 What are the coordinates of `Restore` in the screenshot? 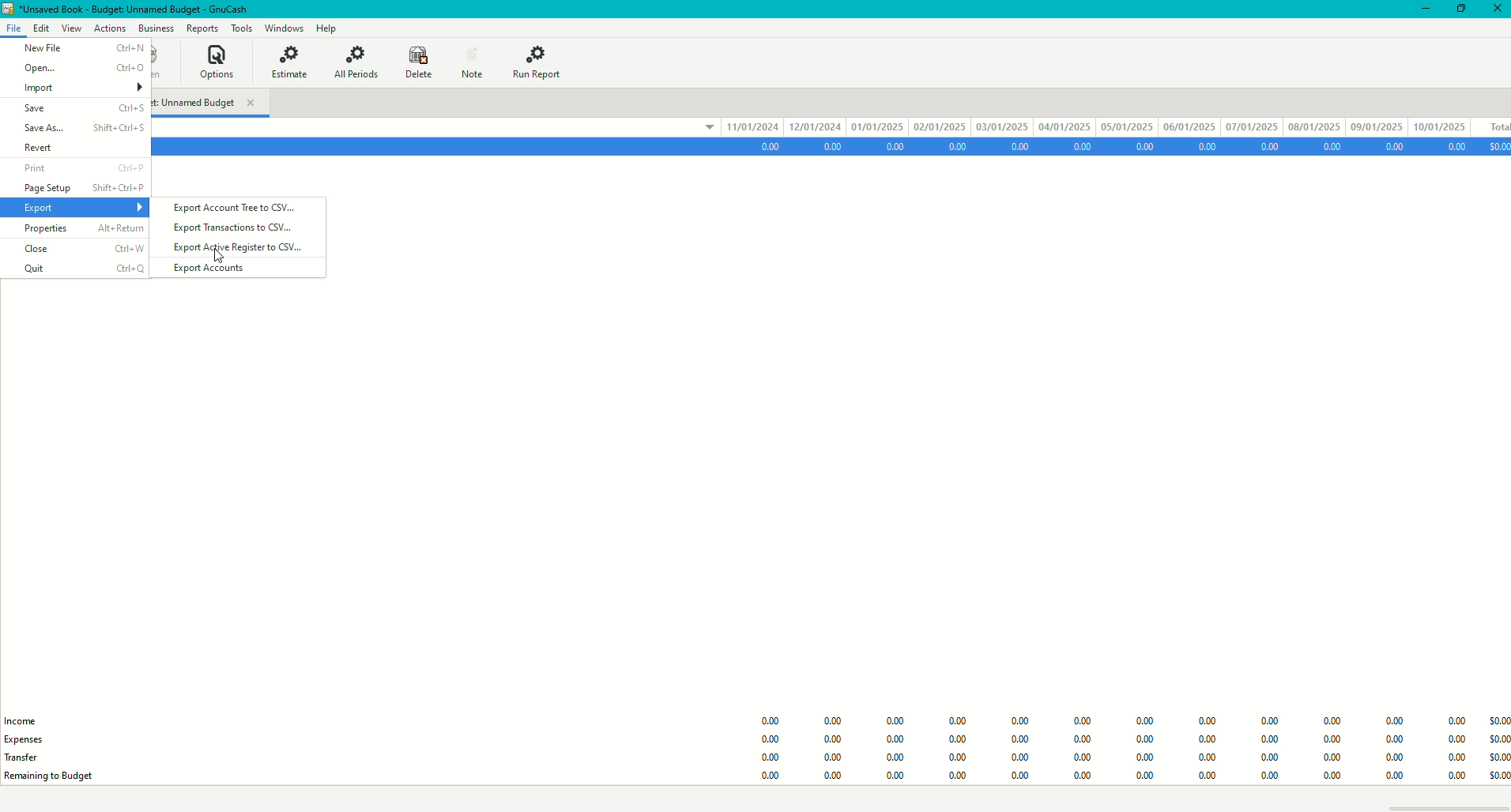 It's located at (1463, 10).